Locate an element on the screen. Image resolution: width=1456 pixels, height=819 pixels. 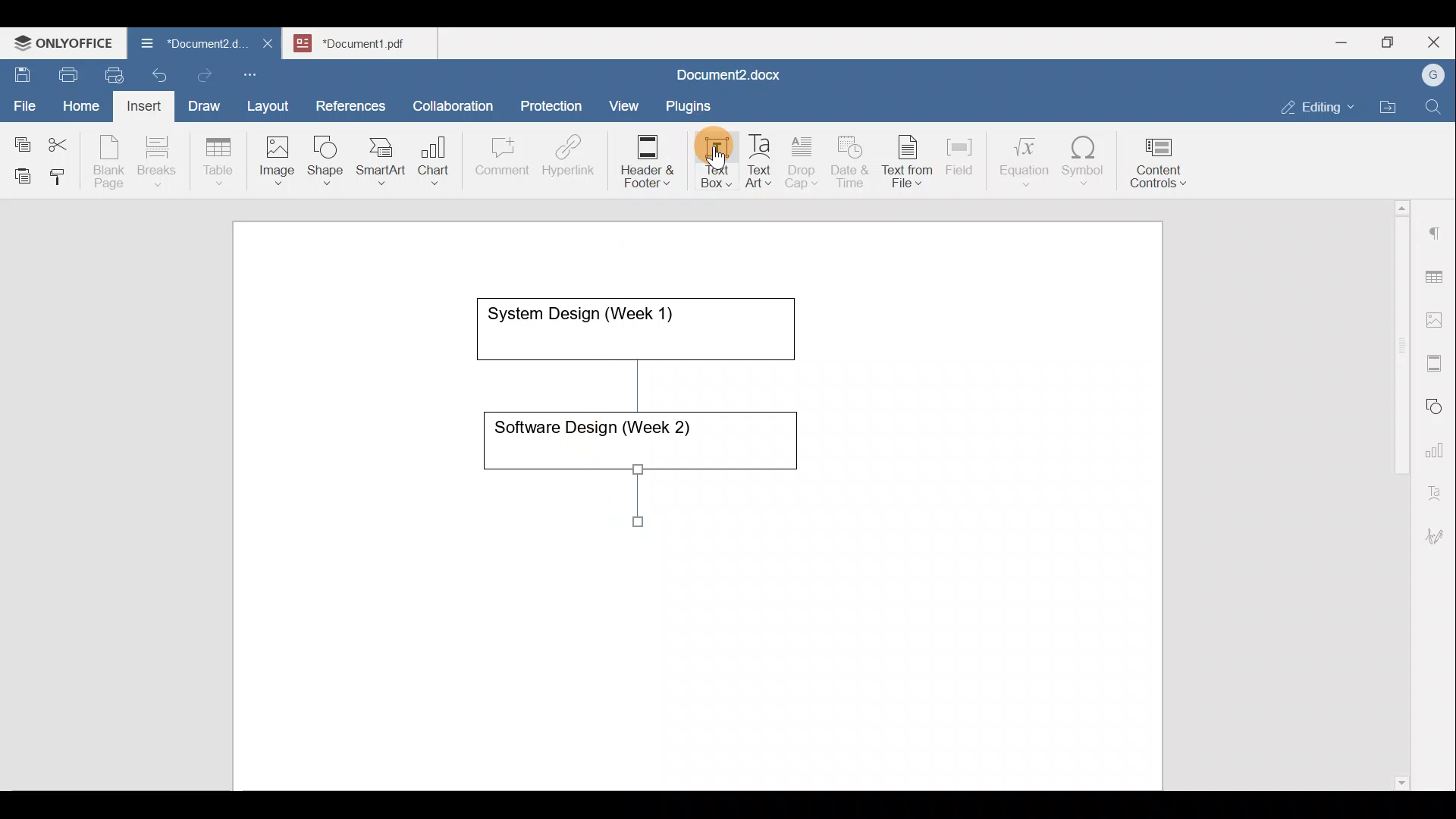
Redo is located at coordinates (204, 76).